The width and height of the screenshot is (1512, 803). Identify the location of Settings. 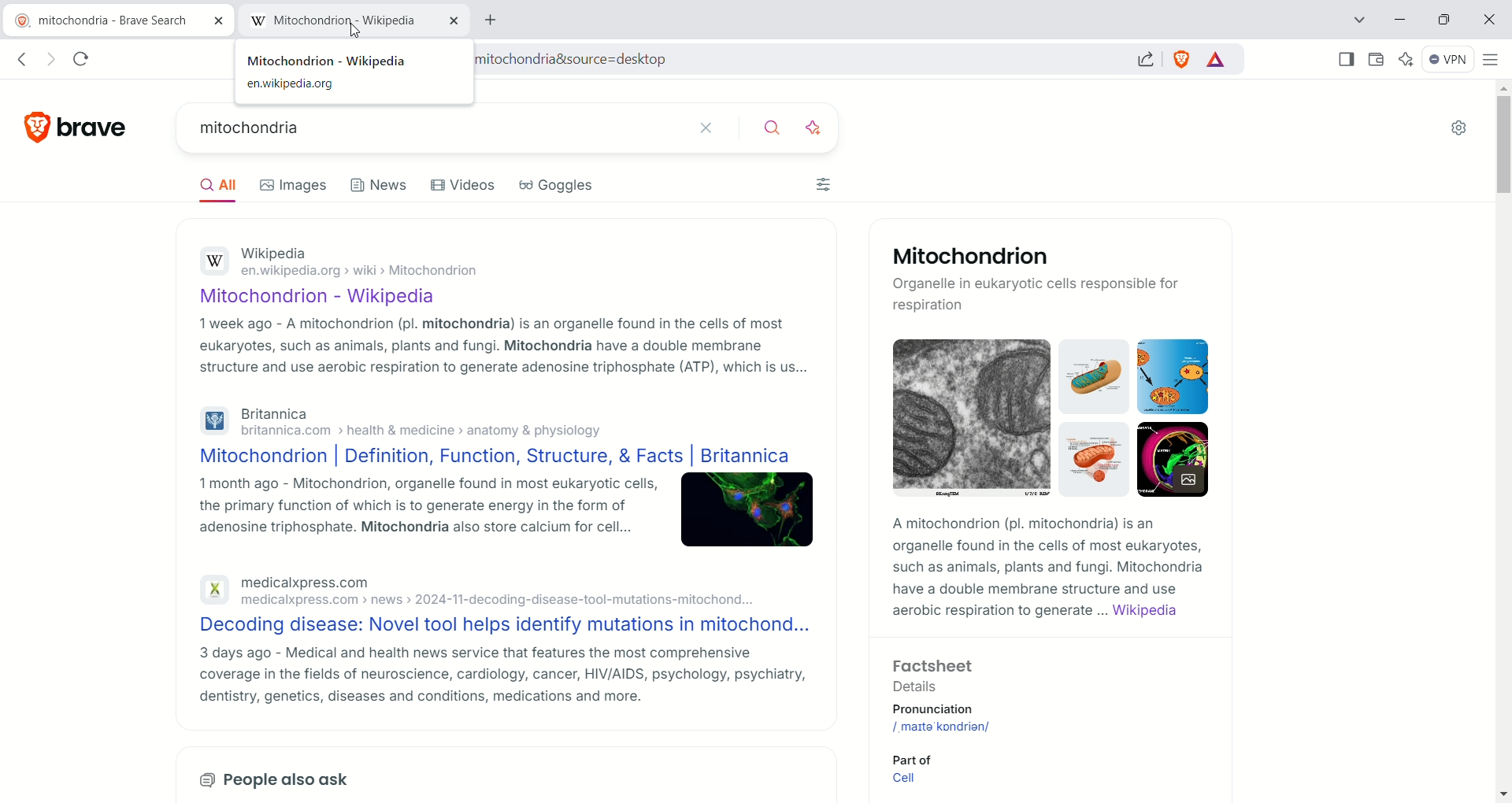
(1461, 129).